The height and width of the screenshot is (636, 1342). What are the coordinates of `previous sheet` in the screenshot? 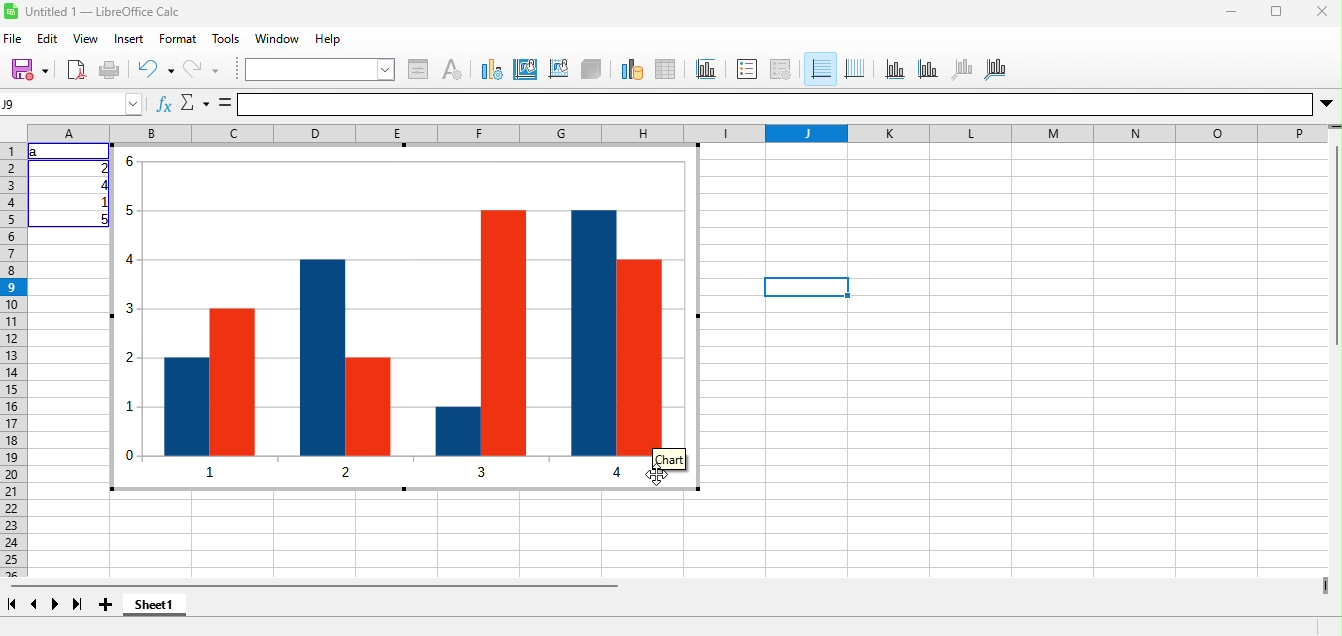 It's located at (34, 605).